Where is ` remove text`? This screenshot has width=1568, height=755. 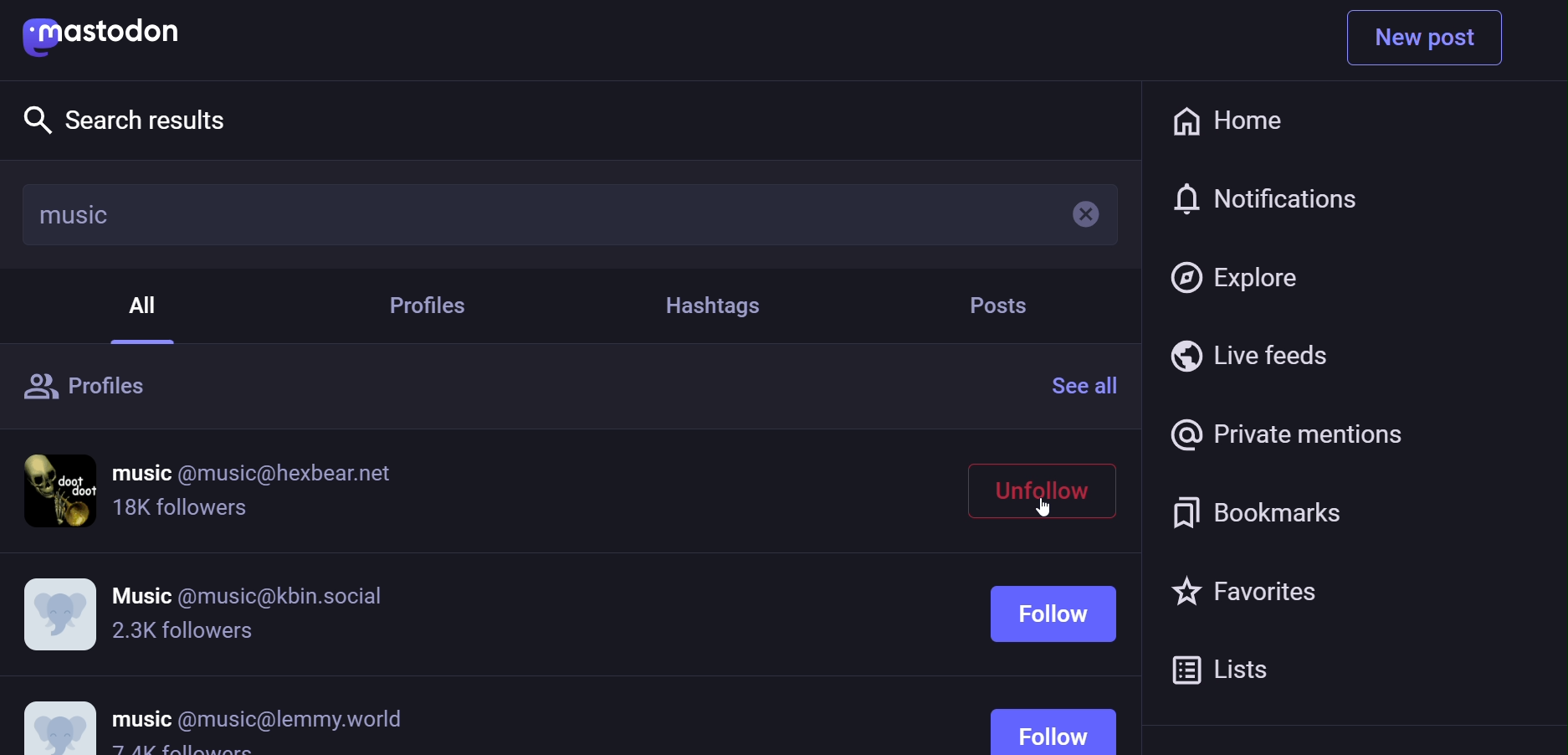
 remove text is located at coordinates (1075, 214).